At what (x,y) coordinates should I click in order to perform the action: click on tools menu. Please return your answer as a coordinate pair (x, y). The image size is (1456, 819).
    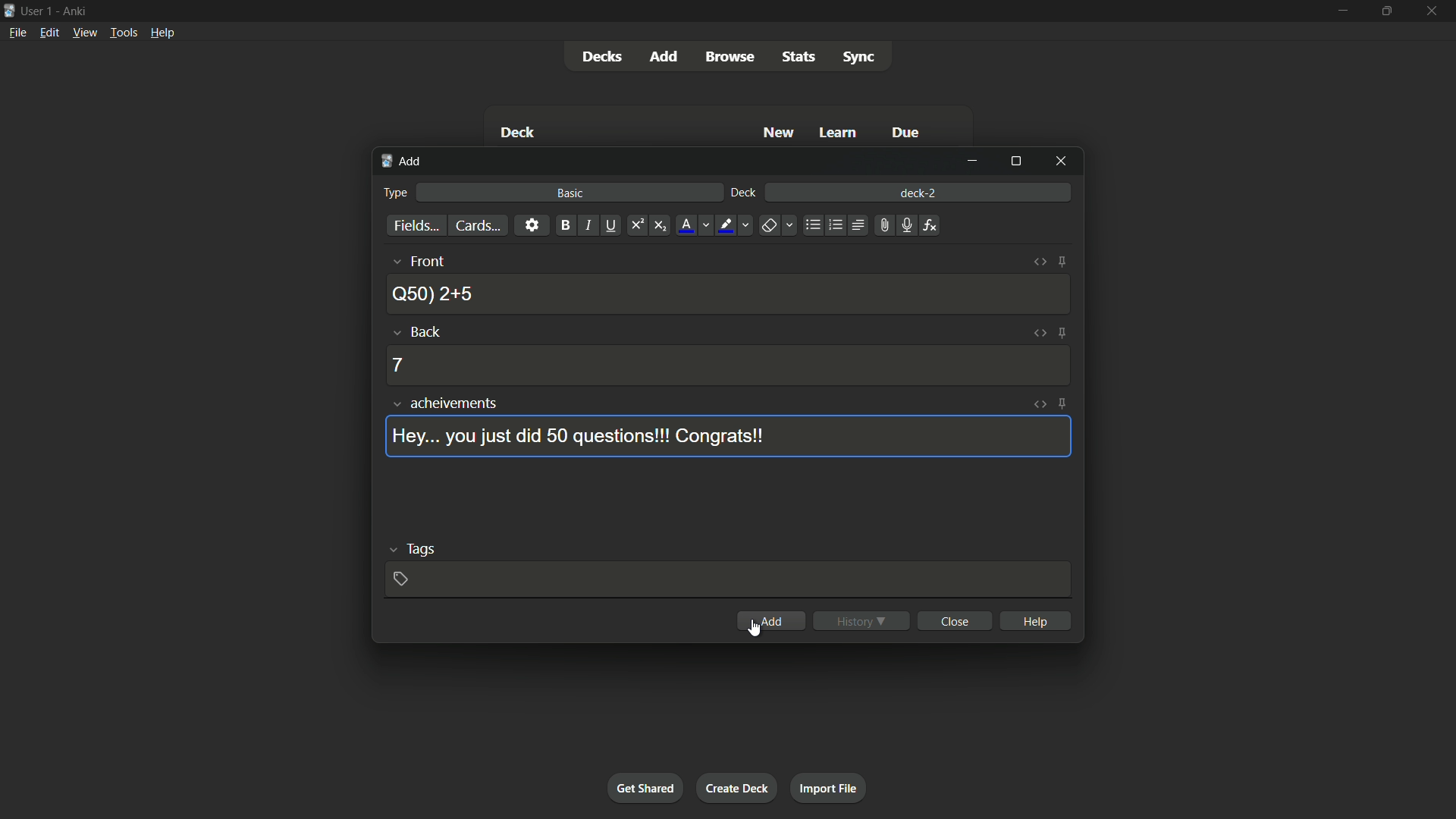
    Looking at the image, I should click on (124, 33).